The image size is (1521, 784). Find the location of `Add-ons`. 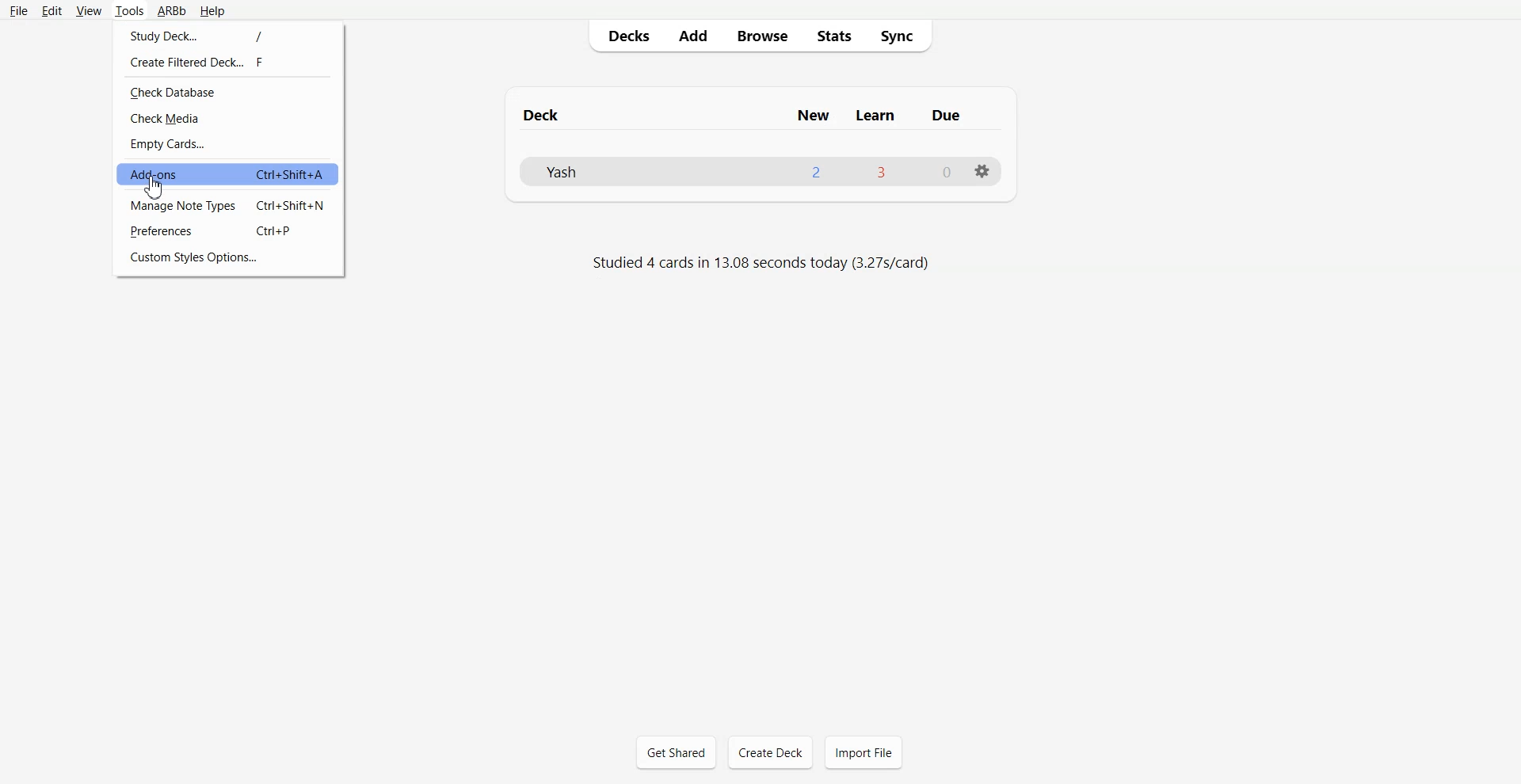

Add-ons is located at coordinates (227, 174).